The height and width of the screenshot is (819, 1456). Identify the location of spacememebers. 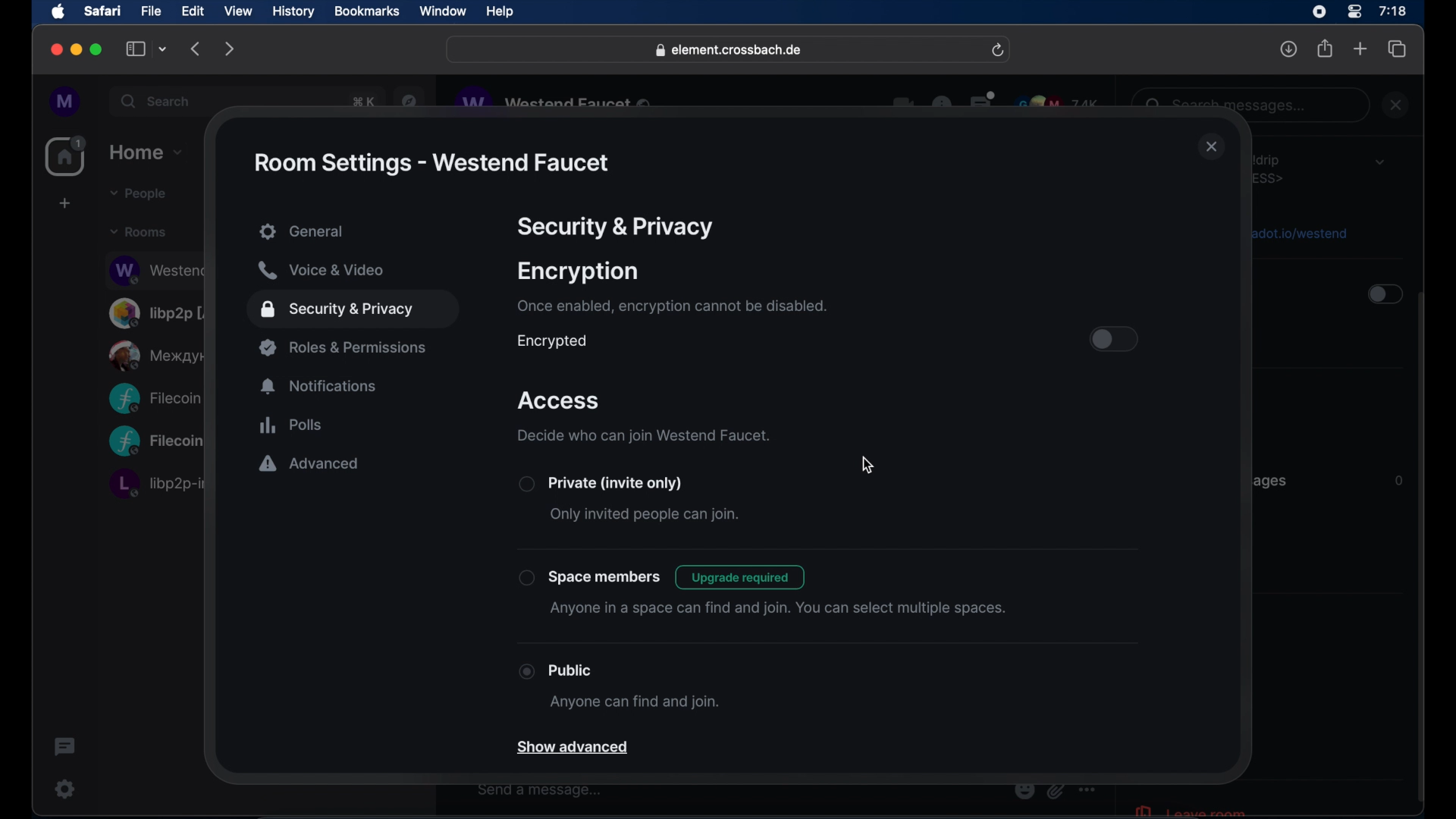
(589, 577).